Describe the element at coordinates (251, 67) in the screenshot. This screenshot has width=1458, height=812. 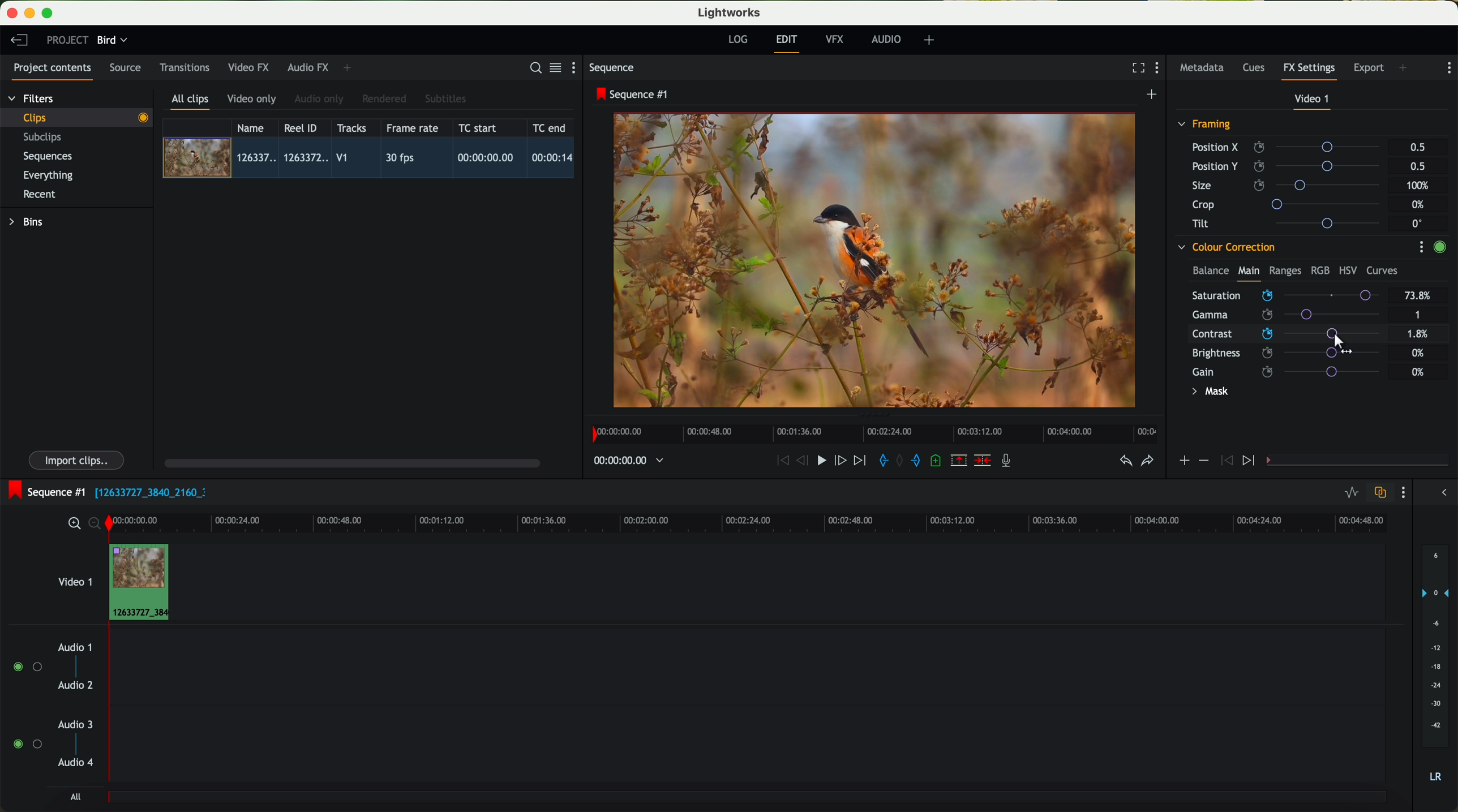
I see `video FX` at that location.